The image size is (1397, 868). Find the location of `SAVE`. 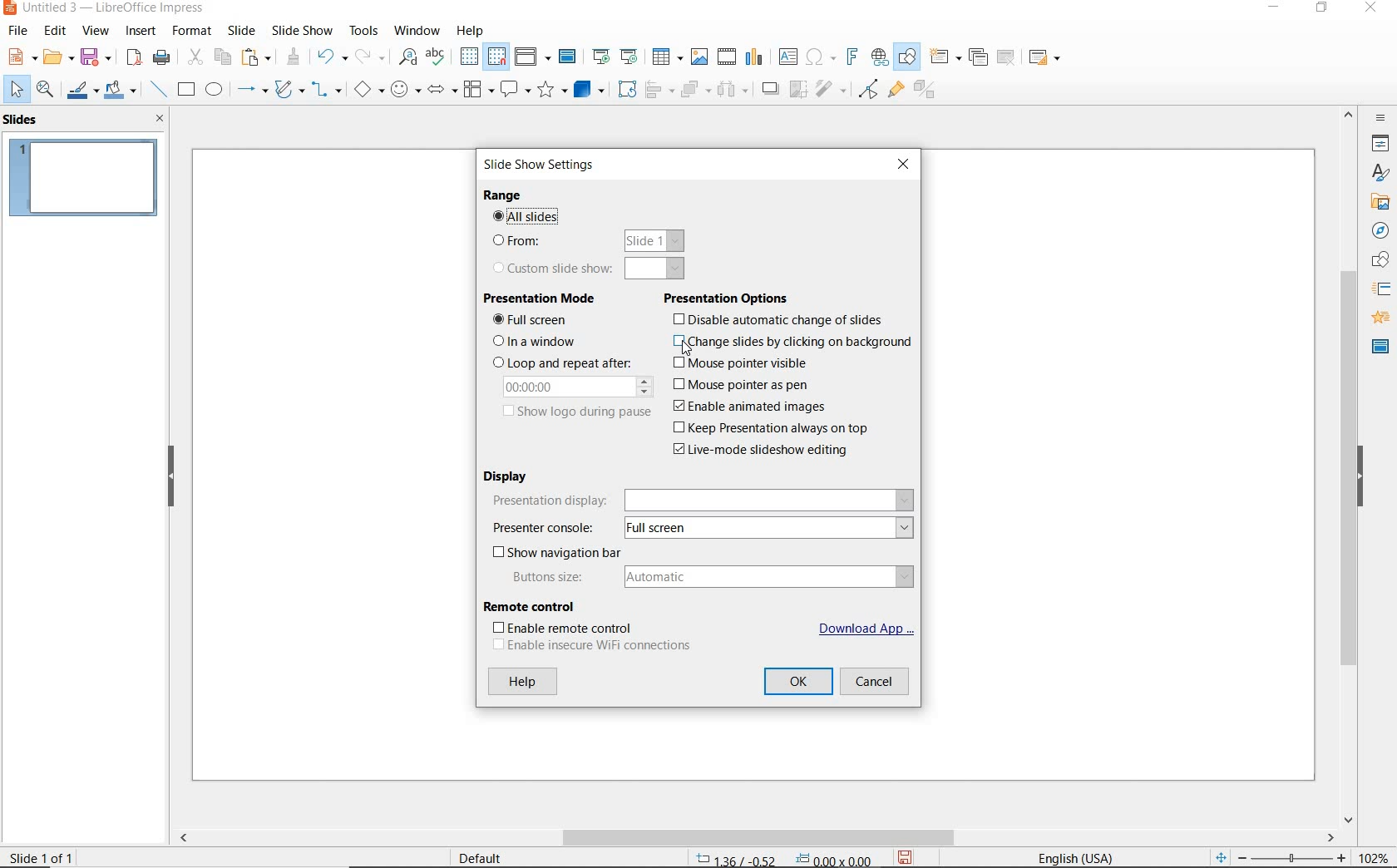

SAVE is located at coordinates (98, 57).